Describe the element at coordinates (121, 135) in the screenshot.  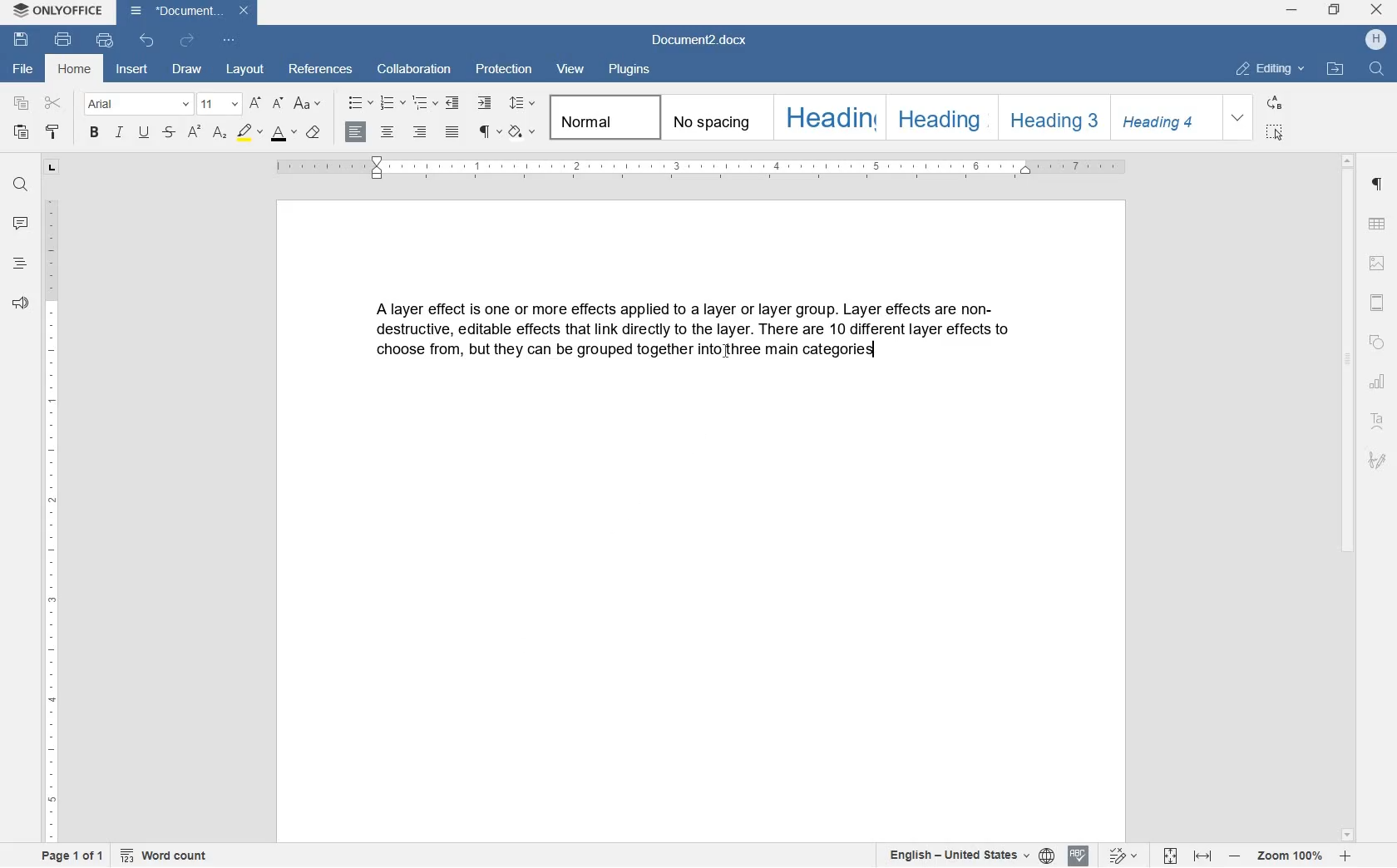
I see `italic` at that location.